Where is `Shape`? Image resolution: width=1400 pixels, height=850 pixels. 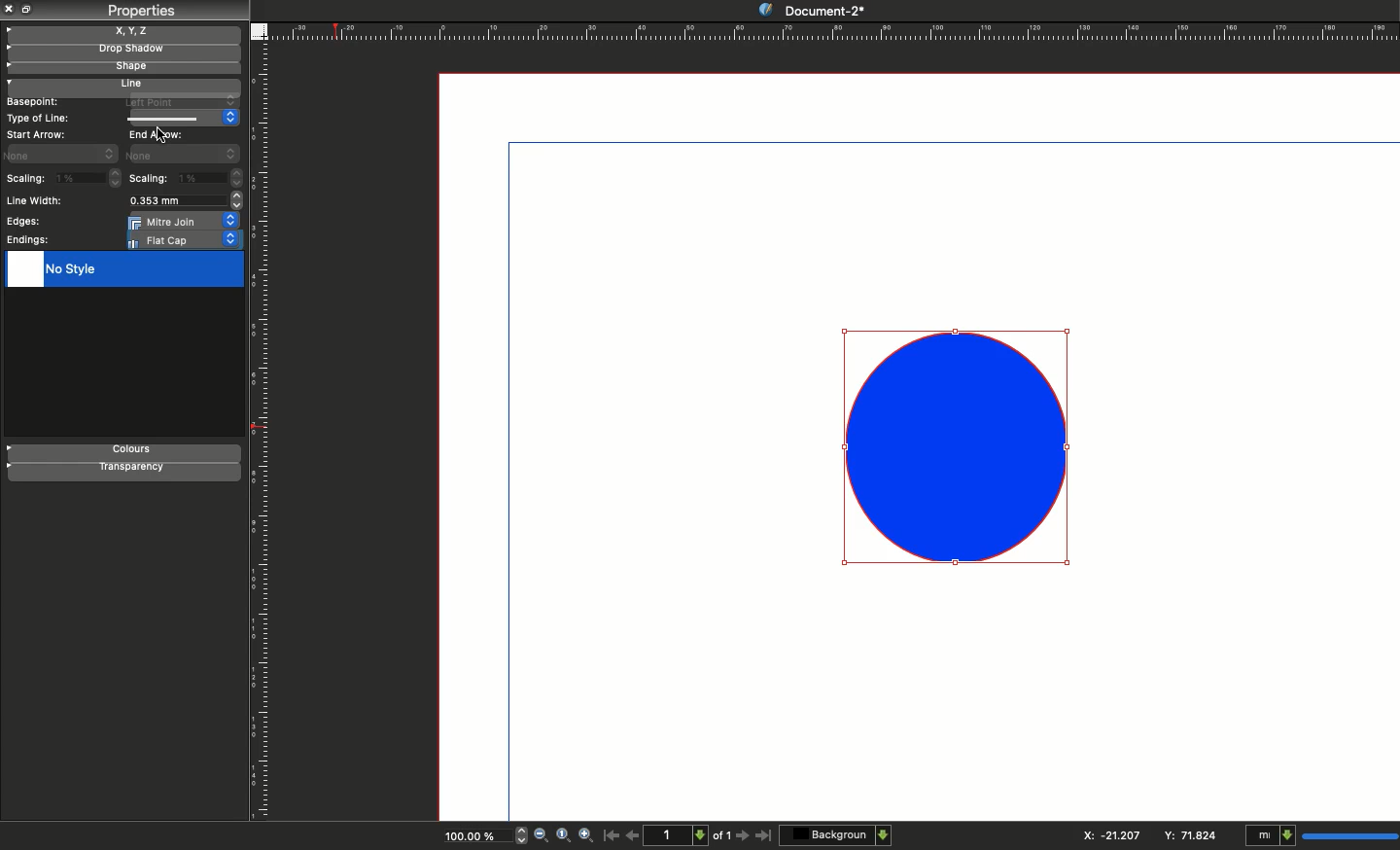 Shape is located at coordinates (122, 69).